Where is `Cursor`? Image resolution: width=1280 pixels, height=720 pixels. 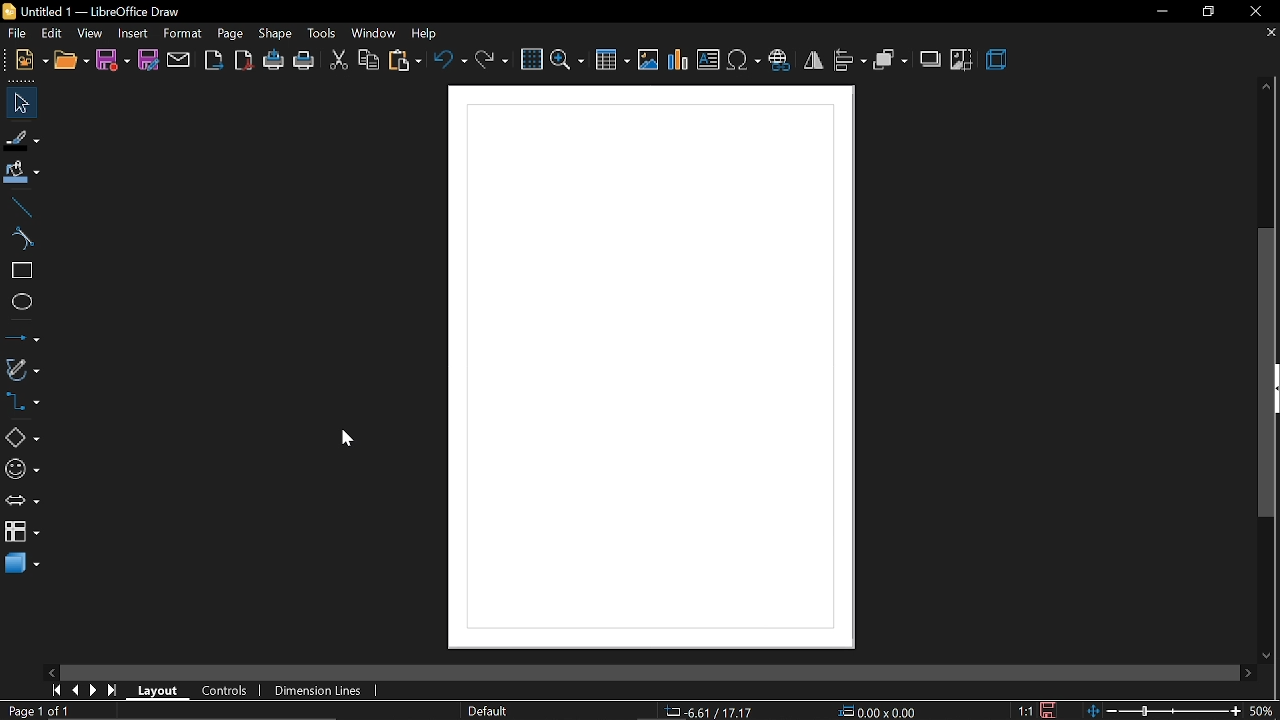
Cursor is located at coordinates (340, 437).